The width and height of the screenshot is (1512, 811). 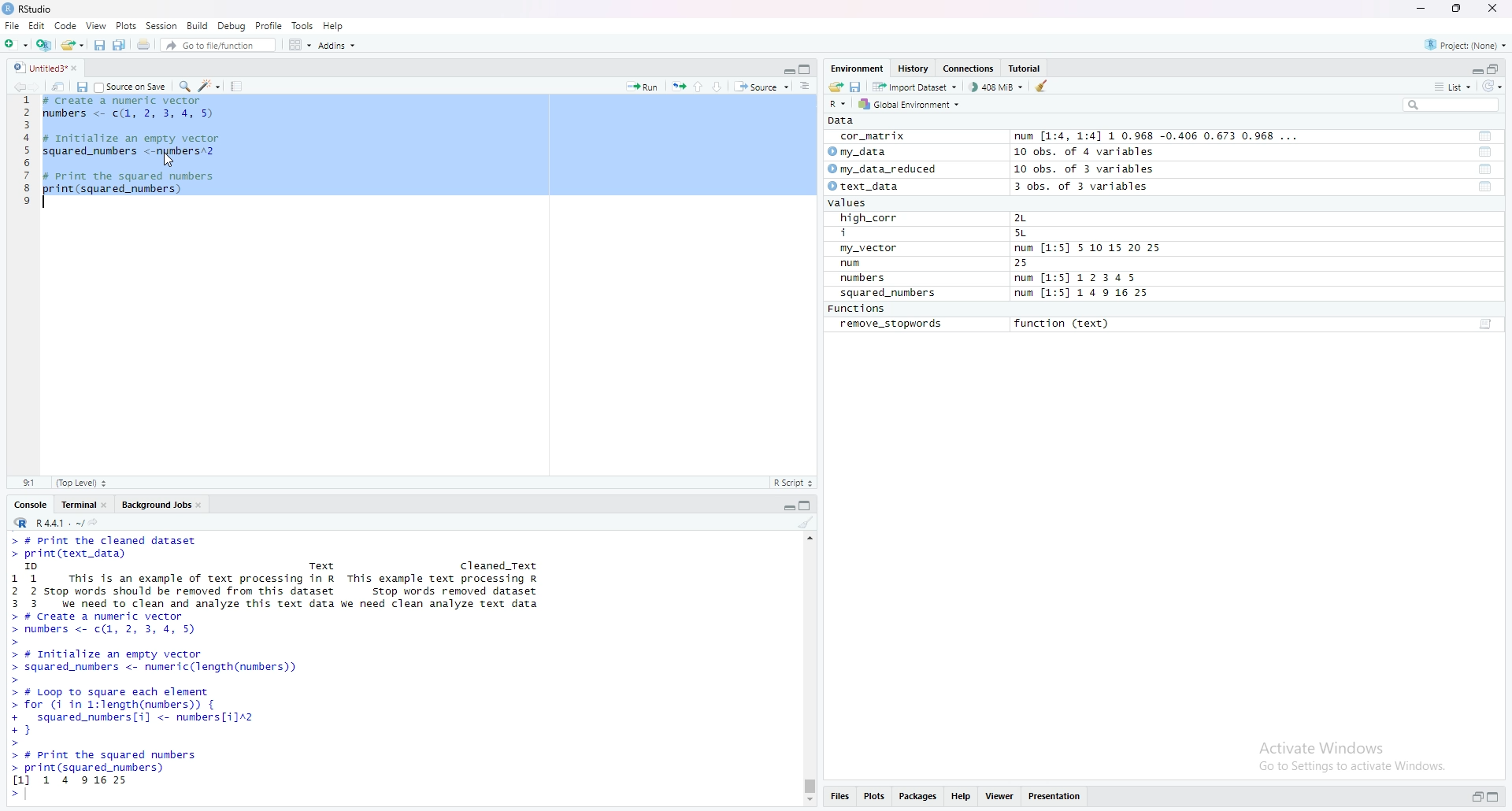 I want to click on save, so click(x=81, y=86).